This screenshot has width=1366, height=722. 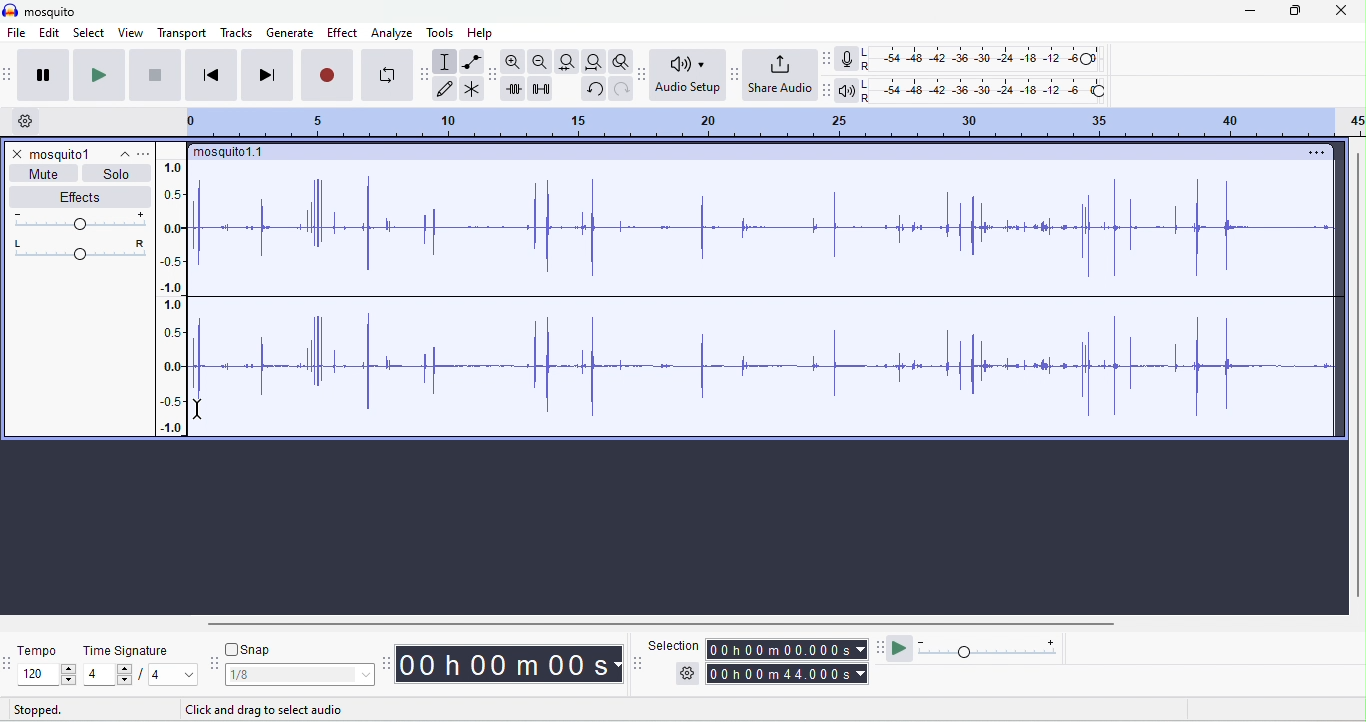 What do you see at coordinates (596, 90) in the screenshot?
I see `undo` at bounding box center [596, 90].